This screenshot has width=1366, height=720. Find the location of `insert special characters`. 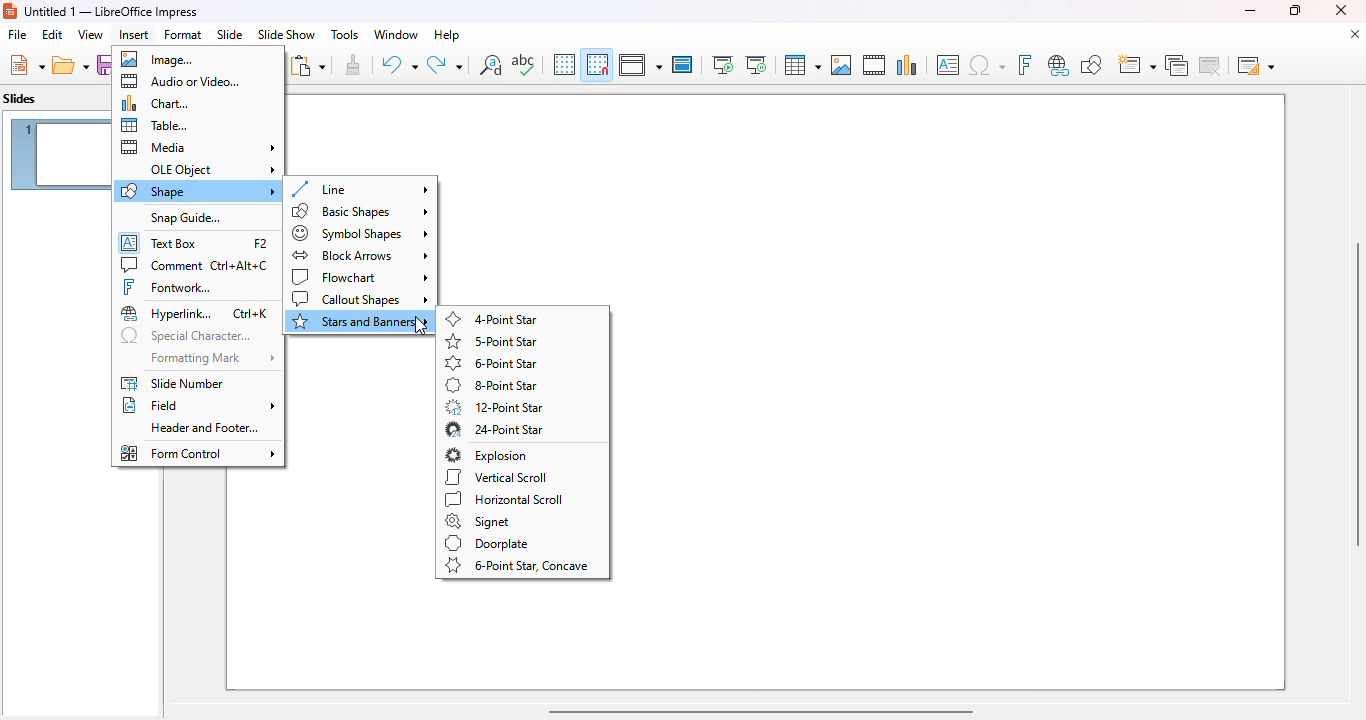

insert special characters is located at coordinates (987, 65).